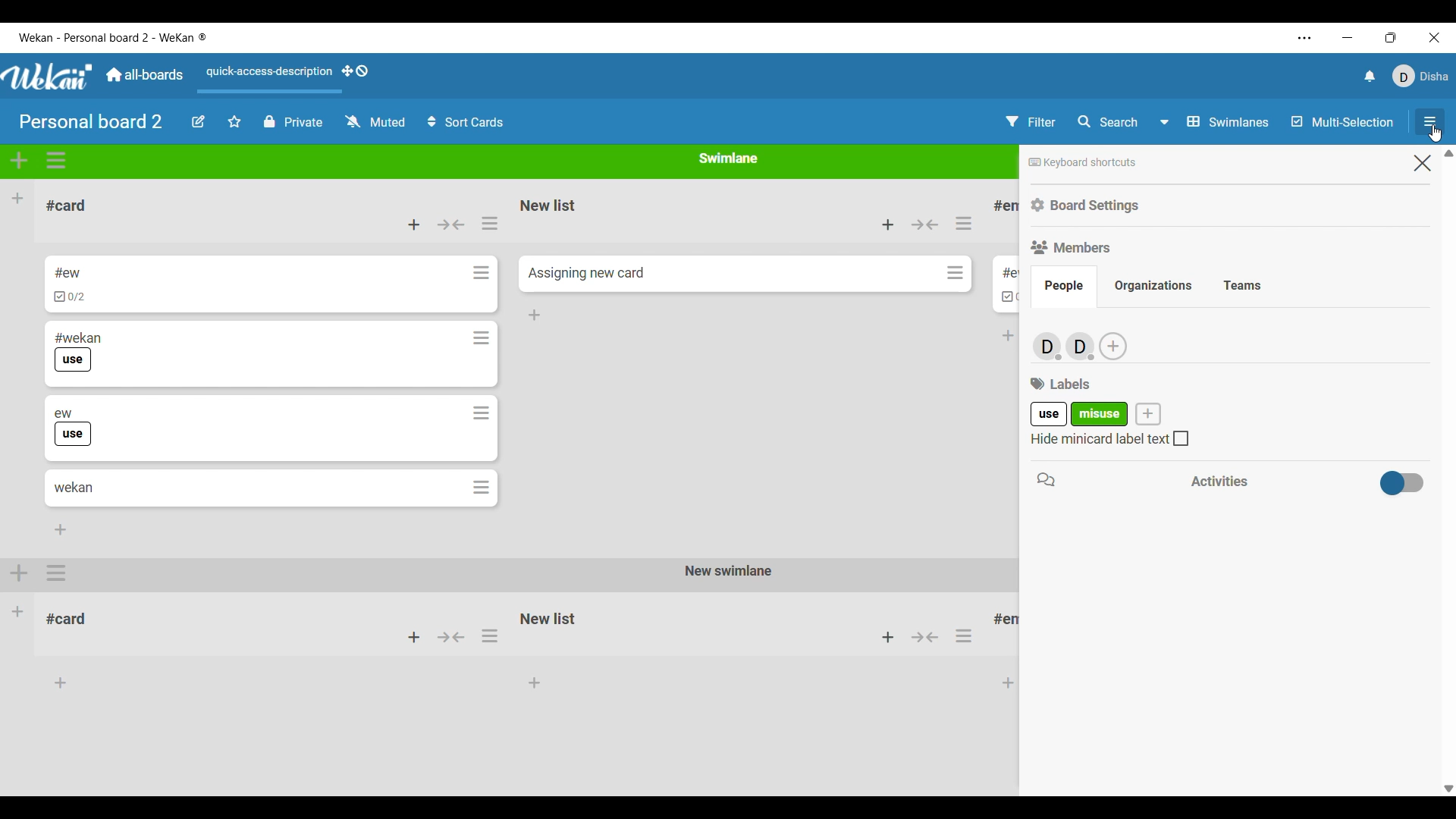 This screenshot has height=819, width=1456. I want to click on Card title and label, so click(77, 352).